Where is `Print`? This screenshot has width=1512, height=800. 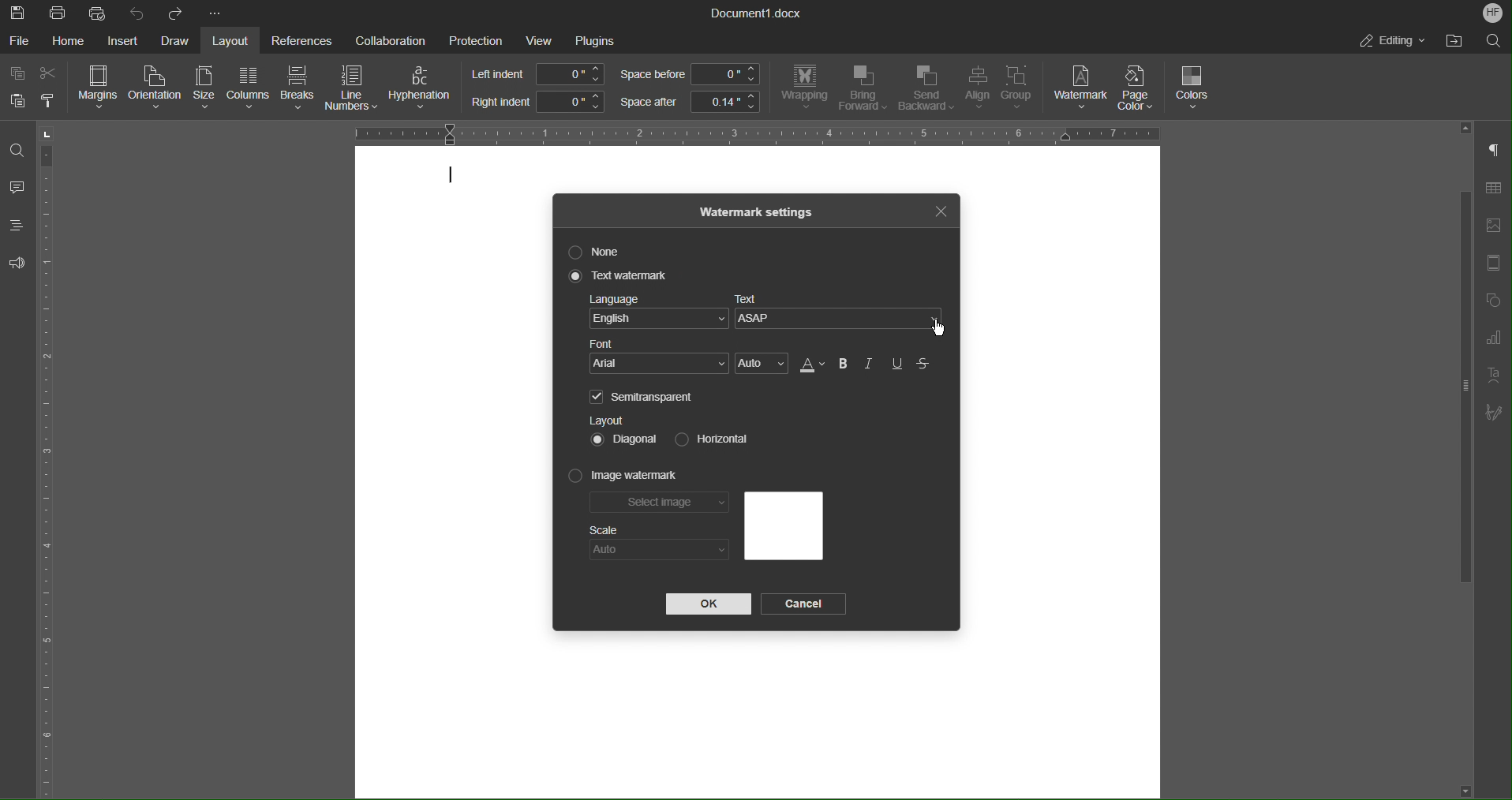
Print is located at coordinates (59, 13).